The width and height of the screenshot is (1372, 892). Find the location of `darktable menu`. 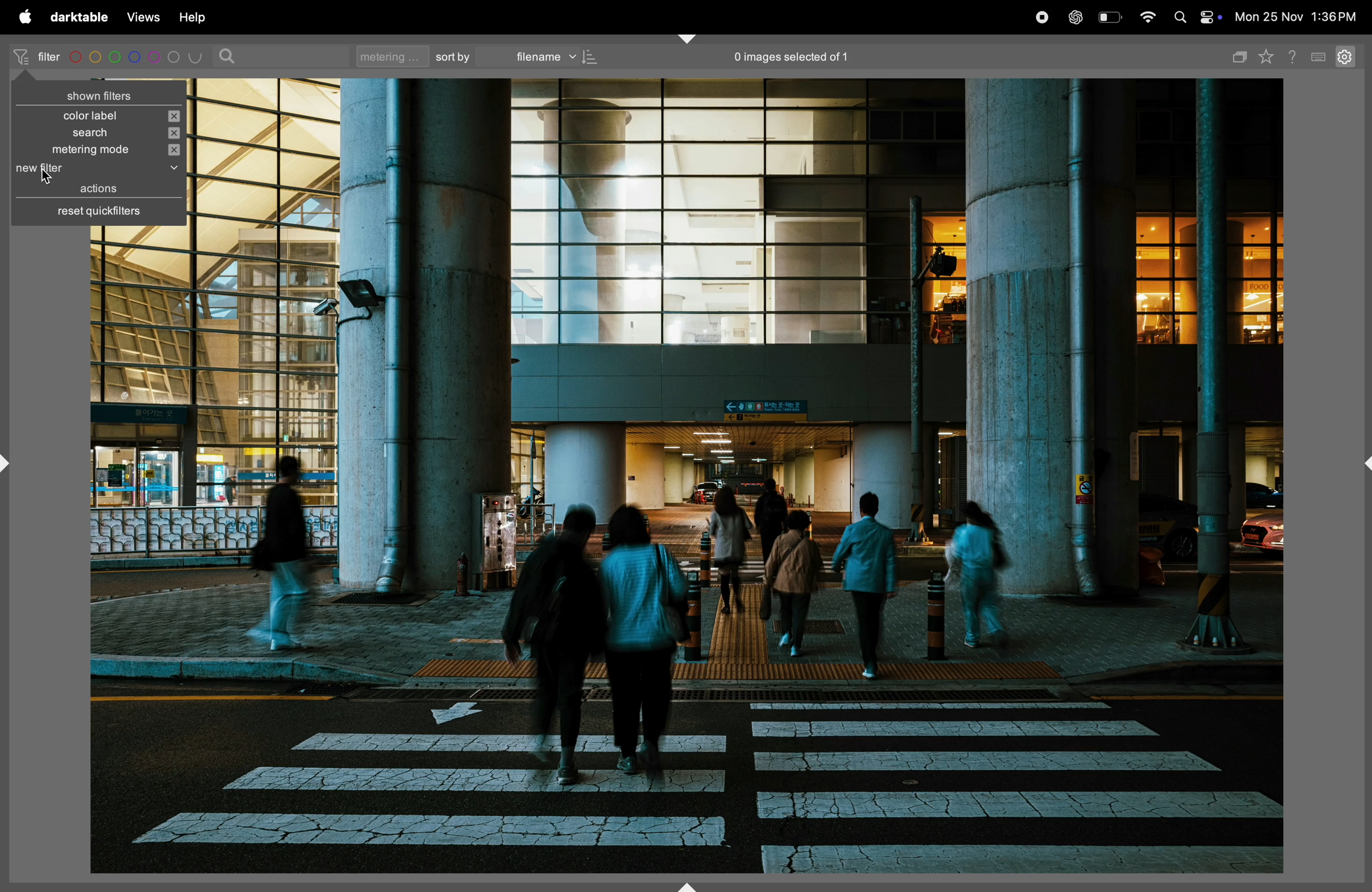

darktable menu is located at coordinates (79, 17).